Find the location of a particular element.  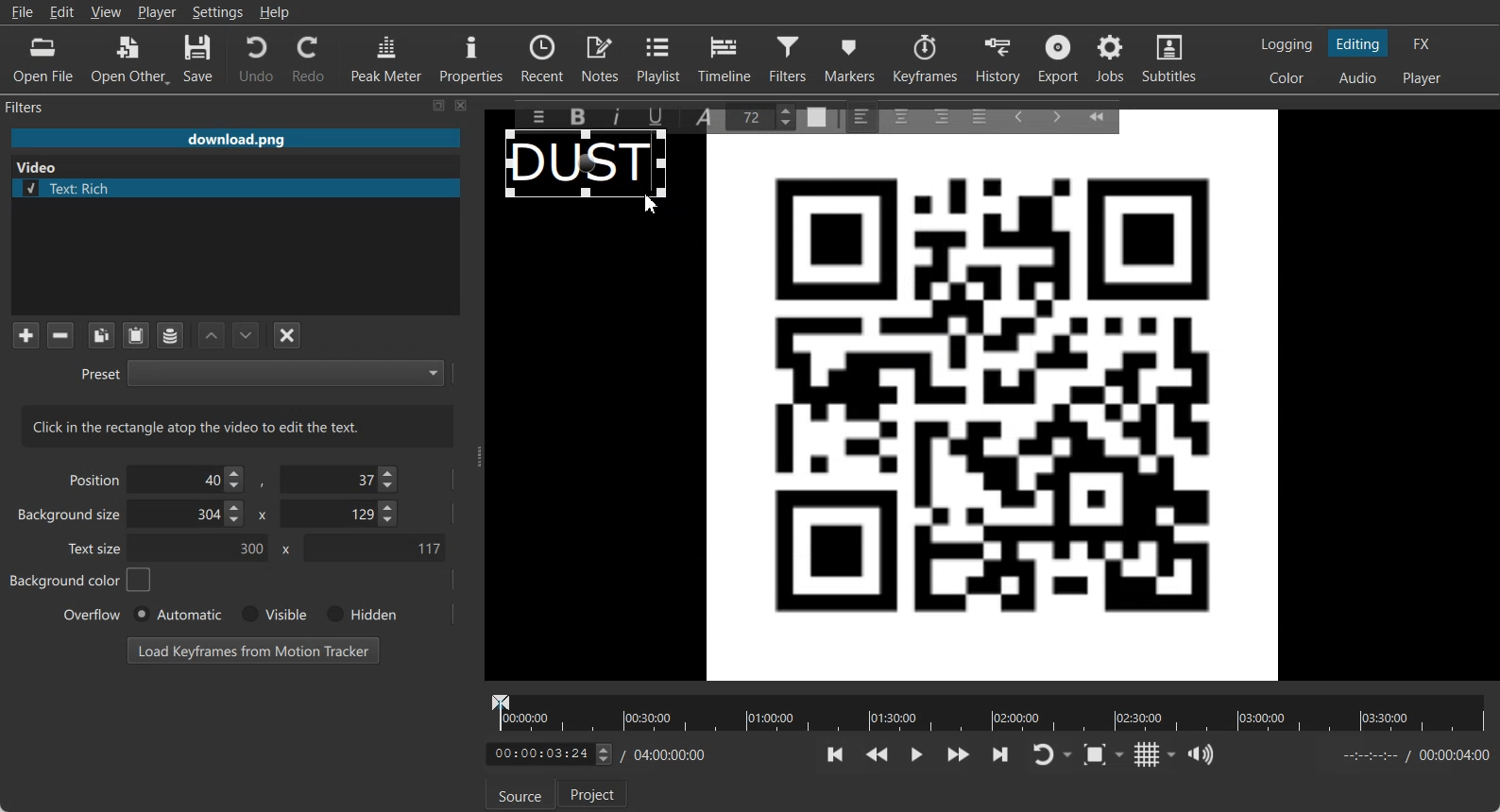

Position Y- Coordinate is located at coordinates (341, 479).